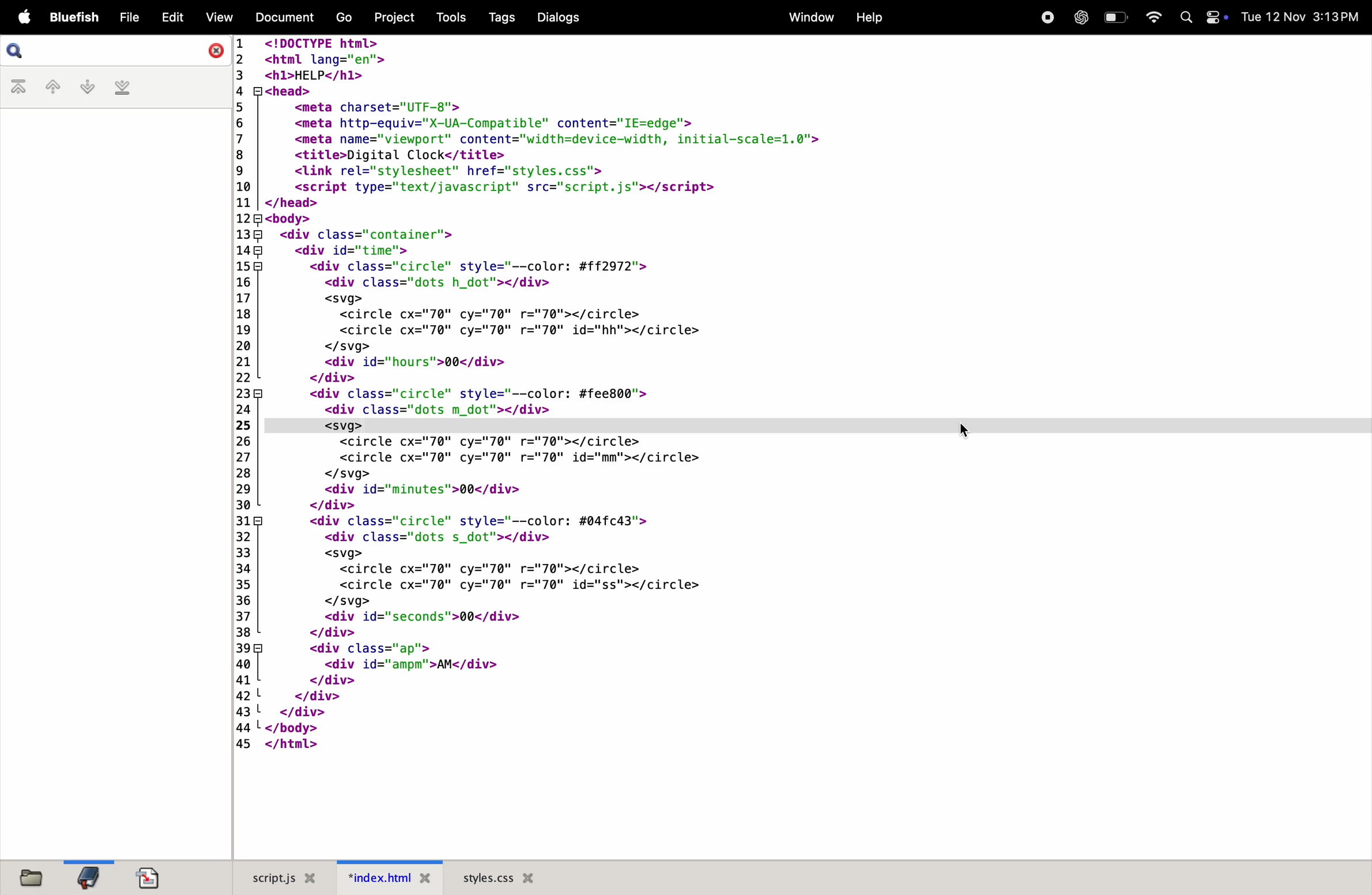 The width and height of the screenshot is (1372, 895). I want to click on battery, so click(1115, 17).